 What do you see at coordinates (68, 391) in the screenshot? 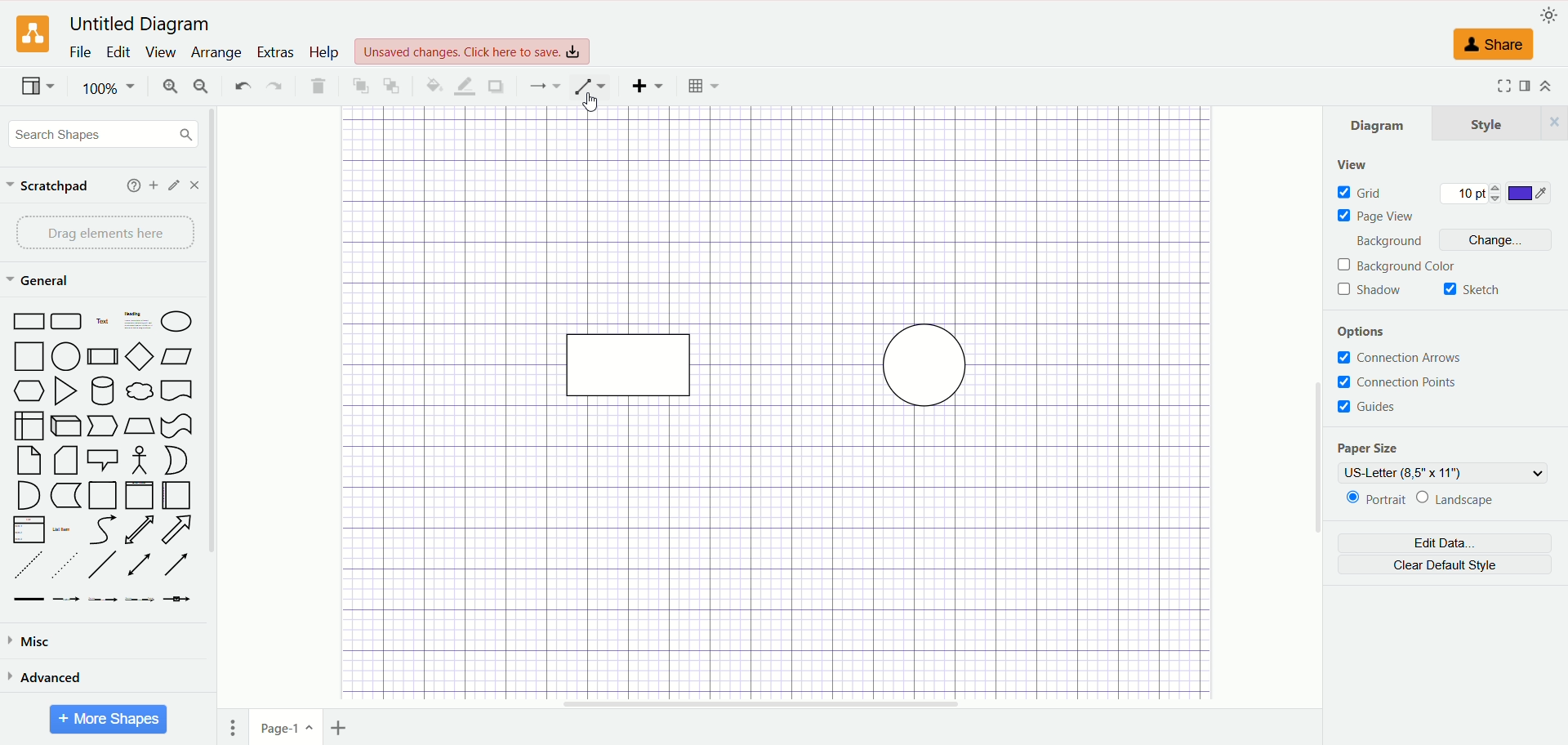
I see `Triangle` at bounding box center [68, 391].